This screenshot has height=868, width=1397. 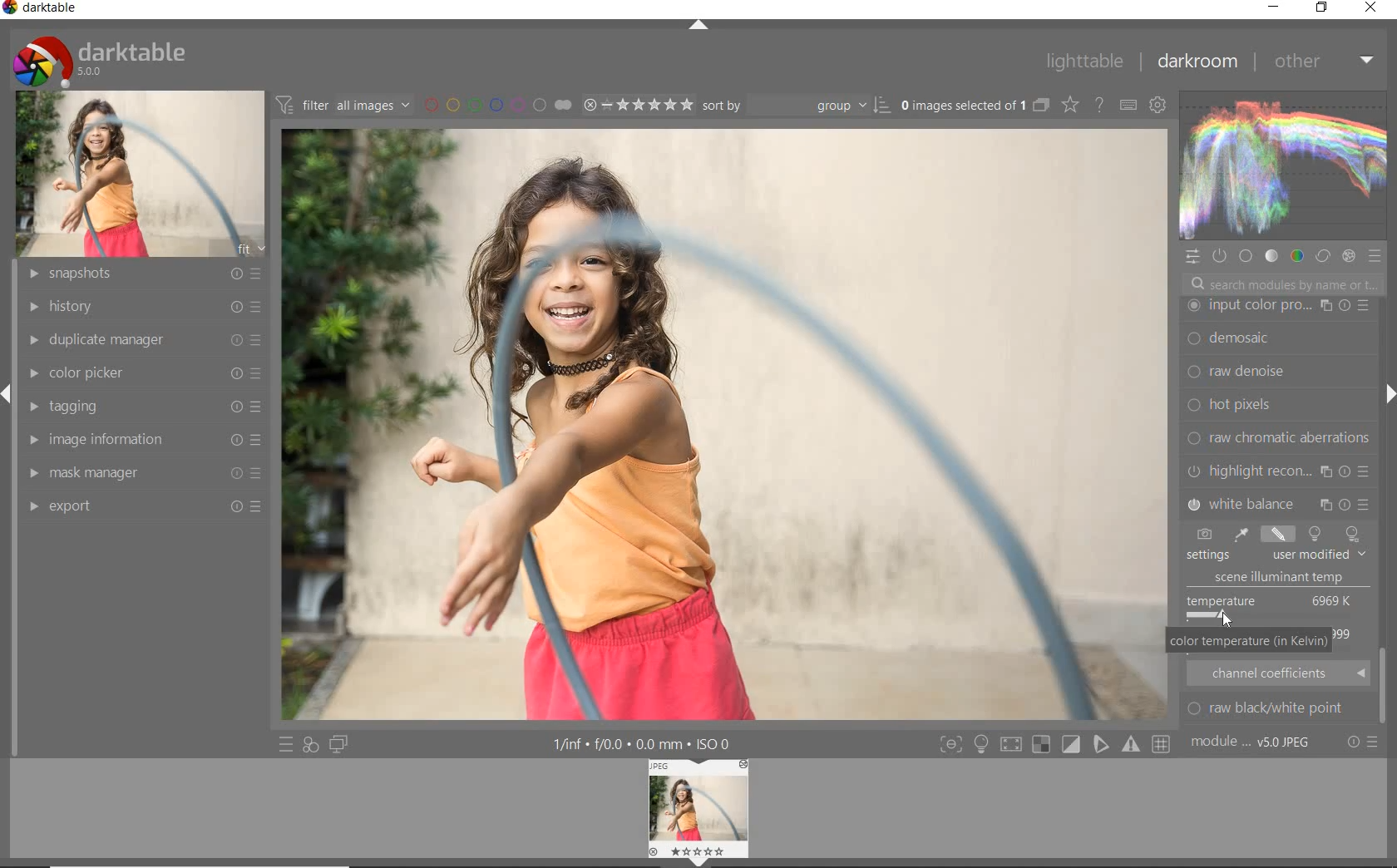 I want to click on enable for online help, so click(x=1098, y=105).